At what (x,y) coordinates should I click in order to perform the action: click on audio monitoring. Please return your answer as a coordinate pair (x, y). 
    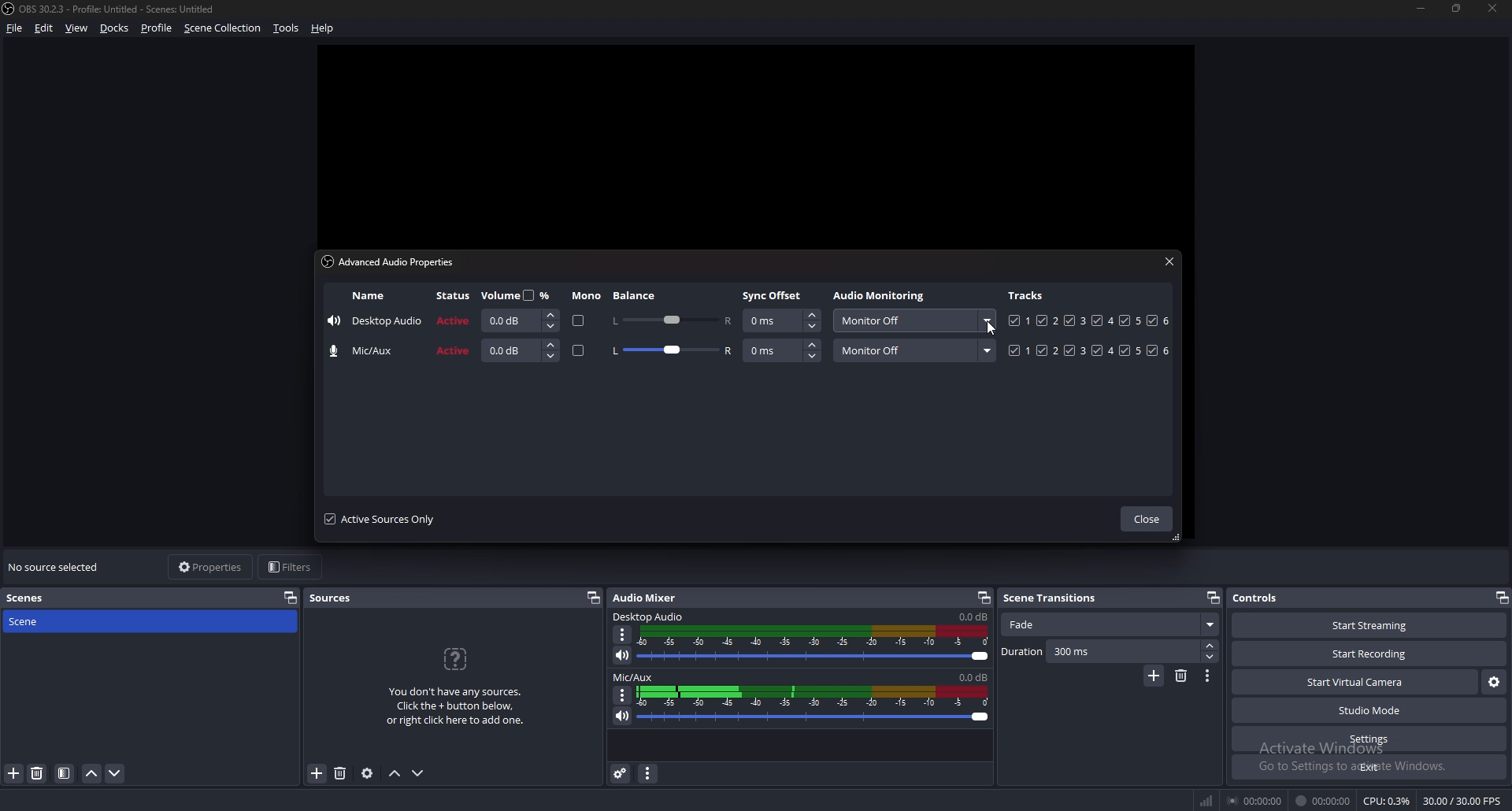
    Looking at the image, I should click on (914, 350).